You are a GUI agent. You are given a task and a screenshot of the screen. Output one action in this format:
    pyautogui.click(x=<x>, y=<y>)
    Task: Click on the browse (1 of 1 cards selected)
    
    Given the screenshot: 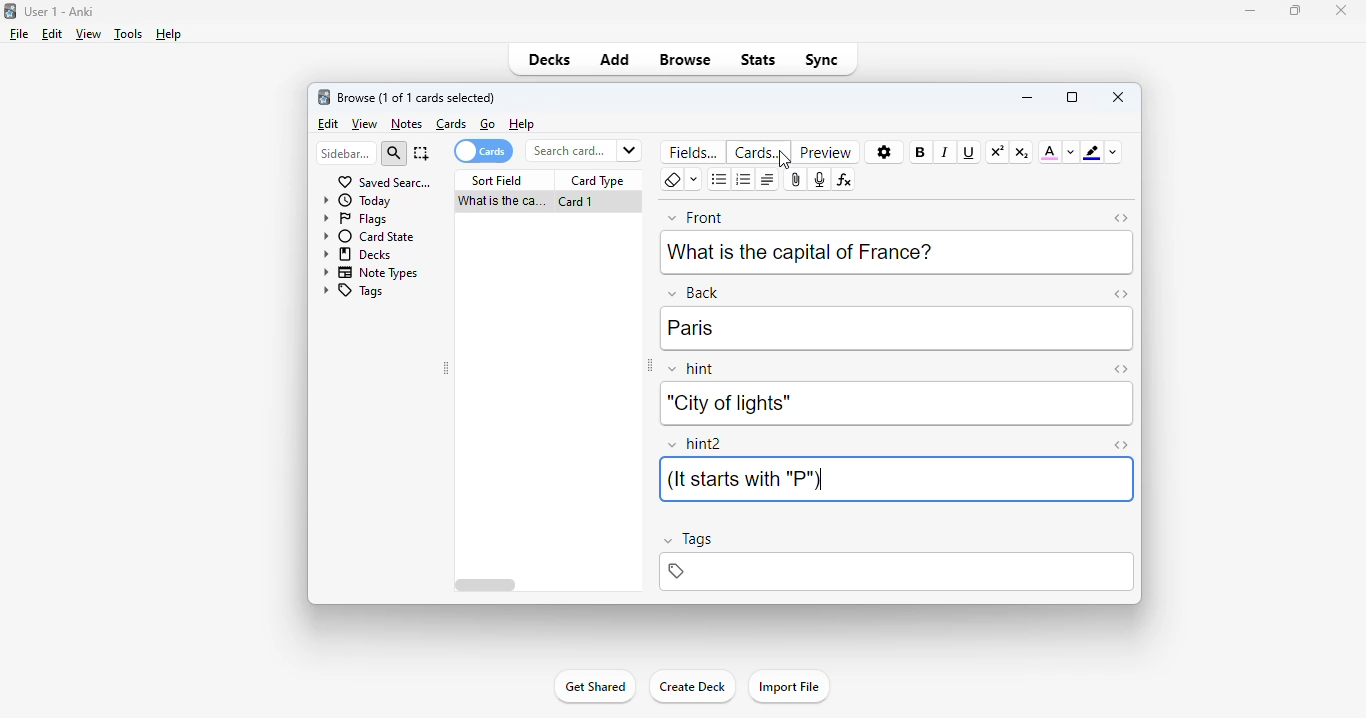 What is the action you would take?
    pyautogui.click(x=417, y=97)
    